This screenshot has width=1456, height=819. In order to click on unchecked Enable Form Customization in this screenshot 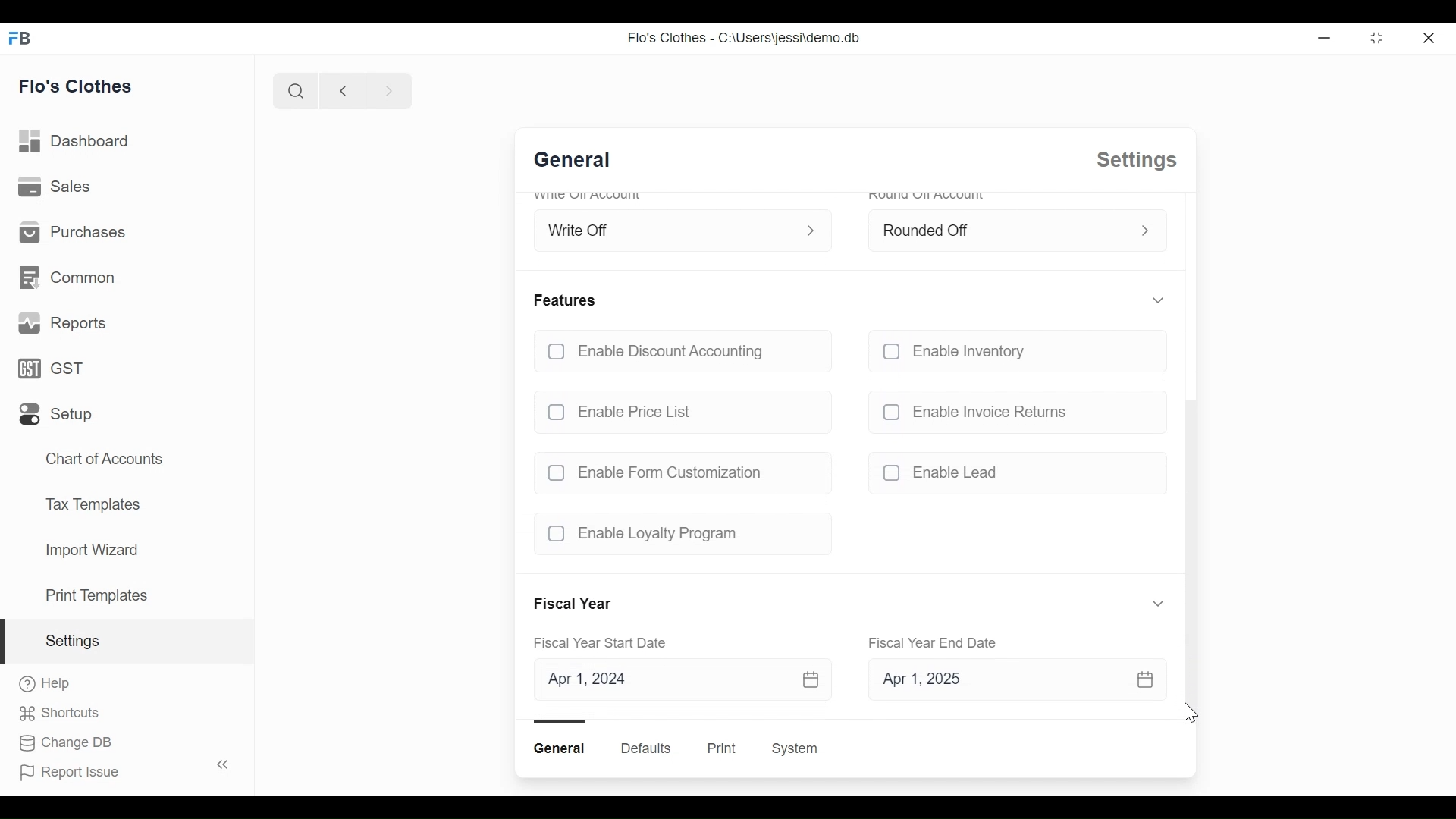, I will do `click(676, 472)`.